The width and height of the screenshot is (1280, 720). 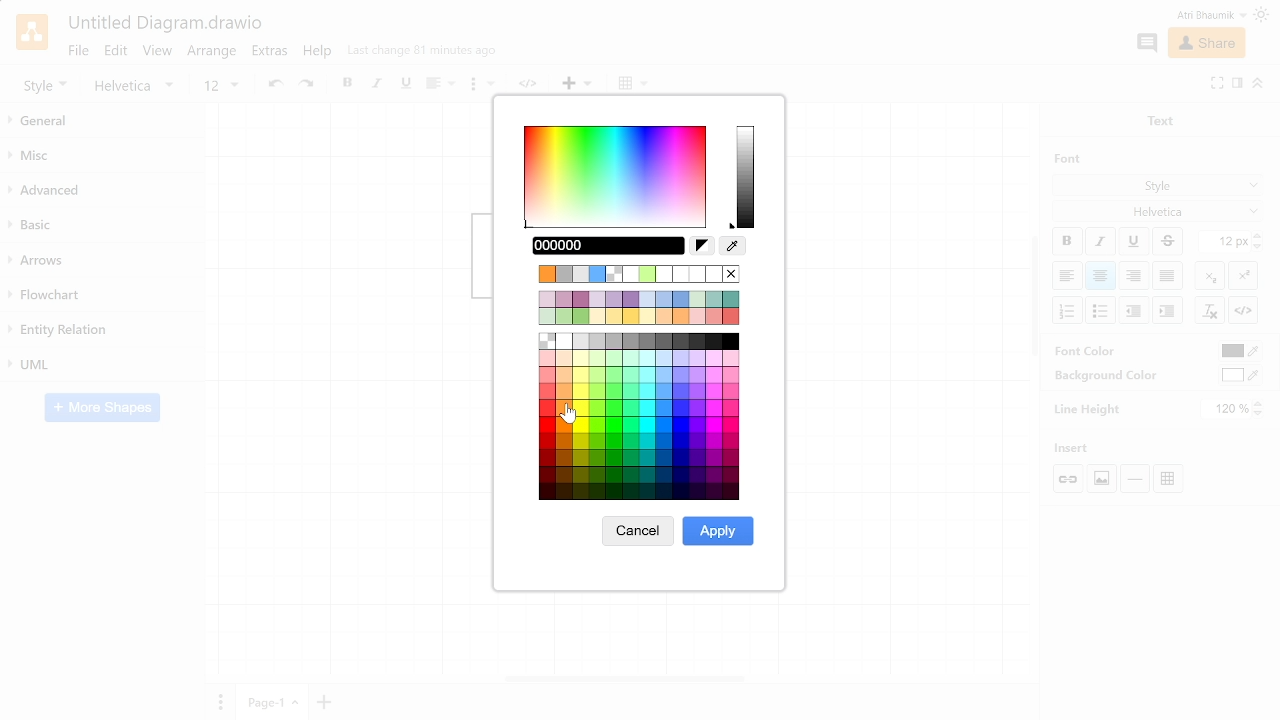 I want to click on Add page, so click(x=327, y=701).